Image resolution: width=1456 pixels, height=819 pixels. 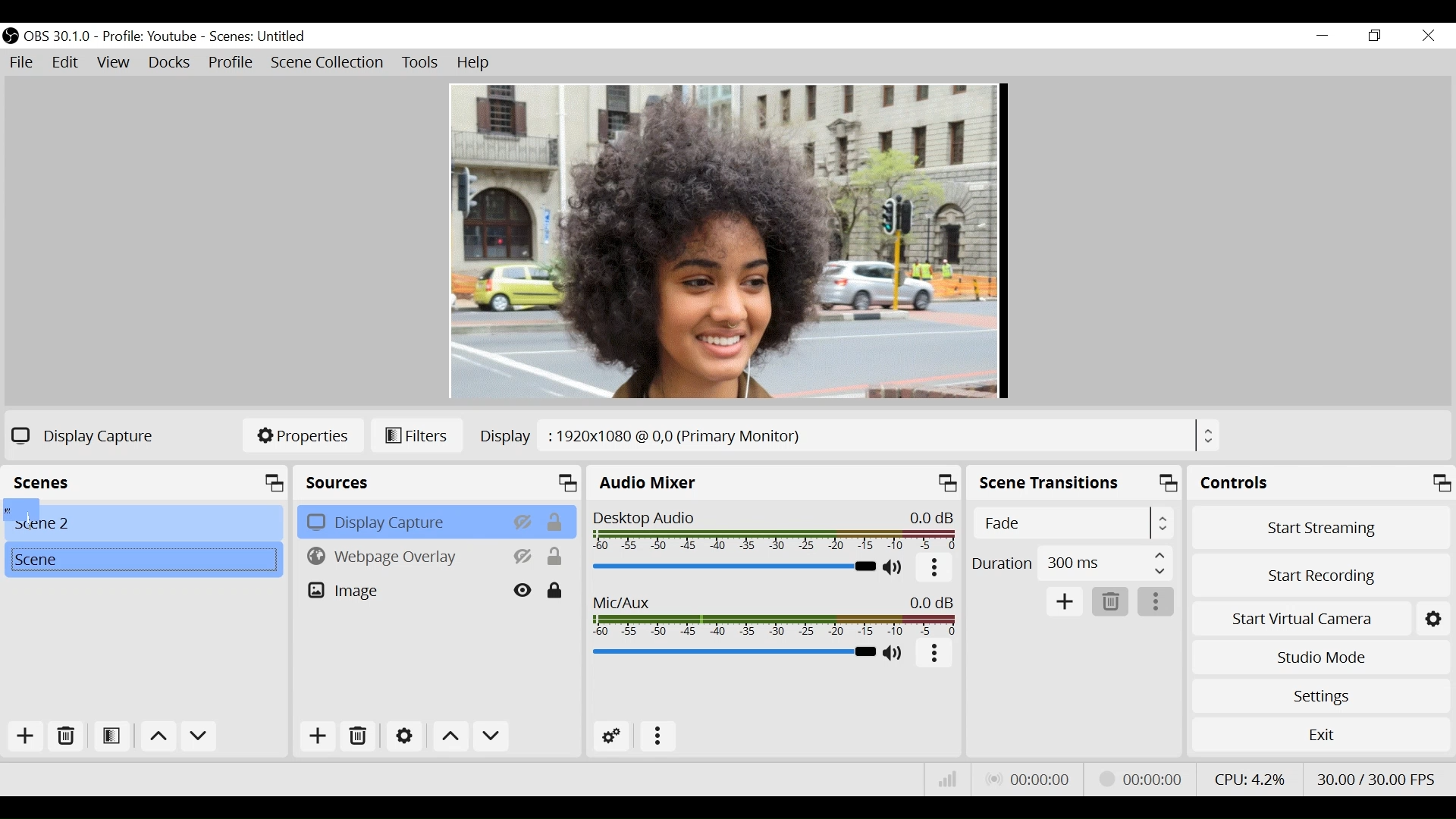 What do you see at coordinates (777, 528) in the screenshot?
I see `Desktop Audio` at bounding box center [777, 528].